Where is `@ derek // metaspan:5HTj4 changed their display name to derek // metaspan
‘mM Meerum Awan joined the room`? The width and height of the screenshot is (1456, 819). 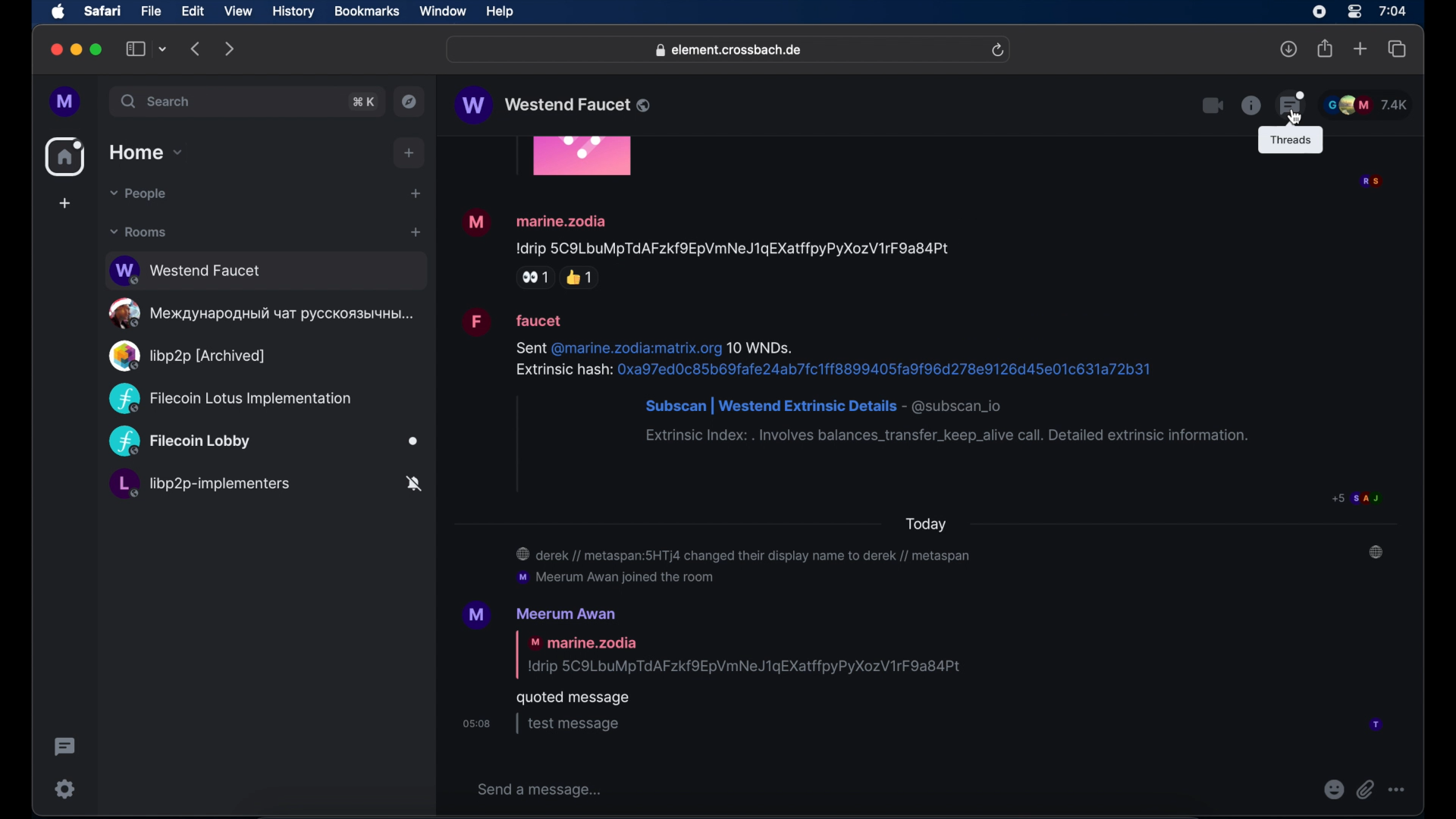 @ derek // metaspan:5HTj4 changed their display name to derek // metaspan
‘mM Meerum Awan joined the room is located at coordinates (745, 563).